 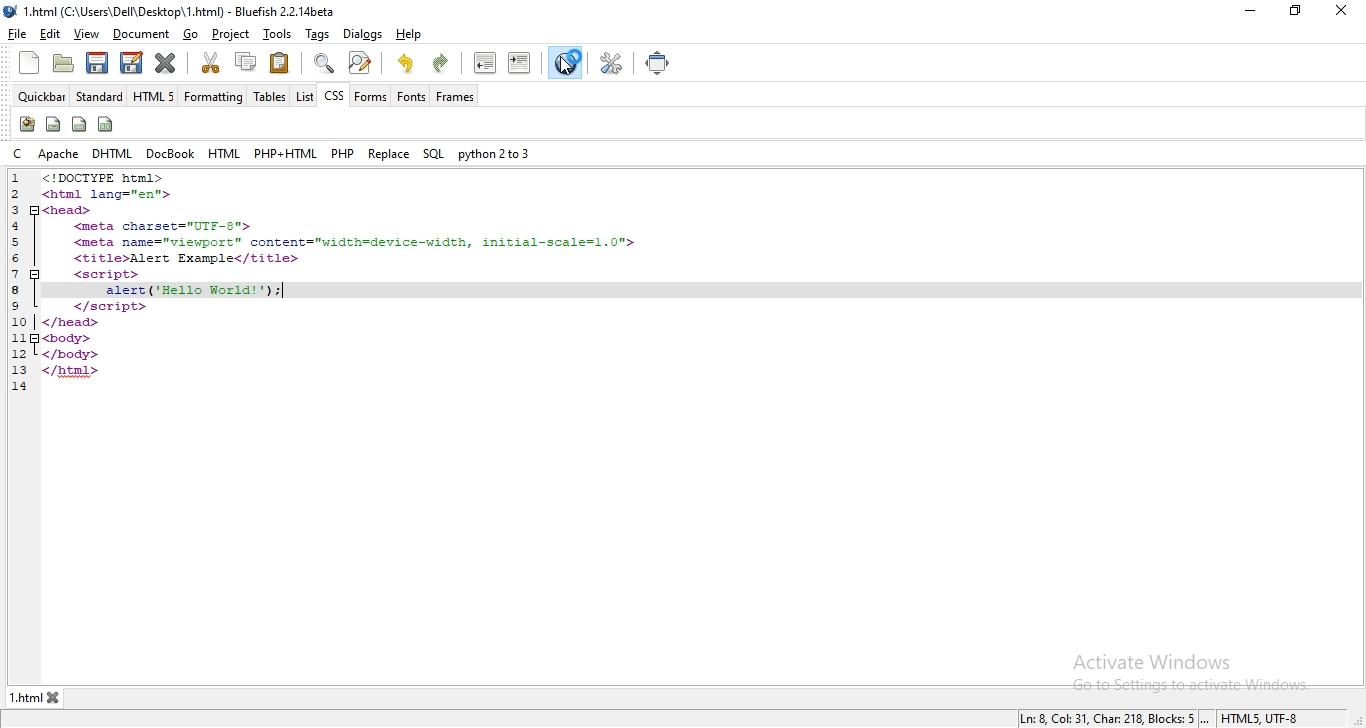 What do you see at coordinates (166, 227) in the screenshot?
I see `<meta charset="UTF-8">` at bounding box center [166, 227].